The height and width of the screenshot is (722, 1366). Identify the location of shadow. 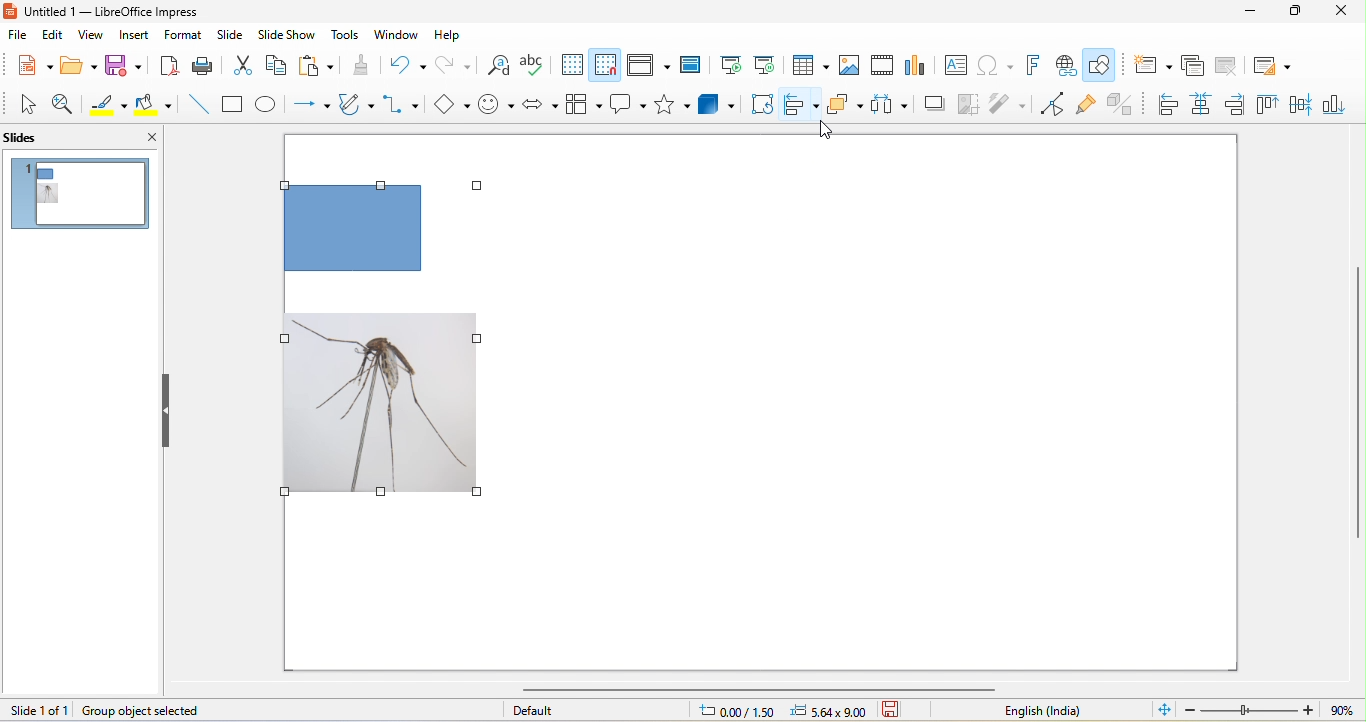
(934, 103).